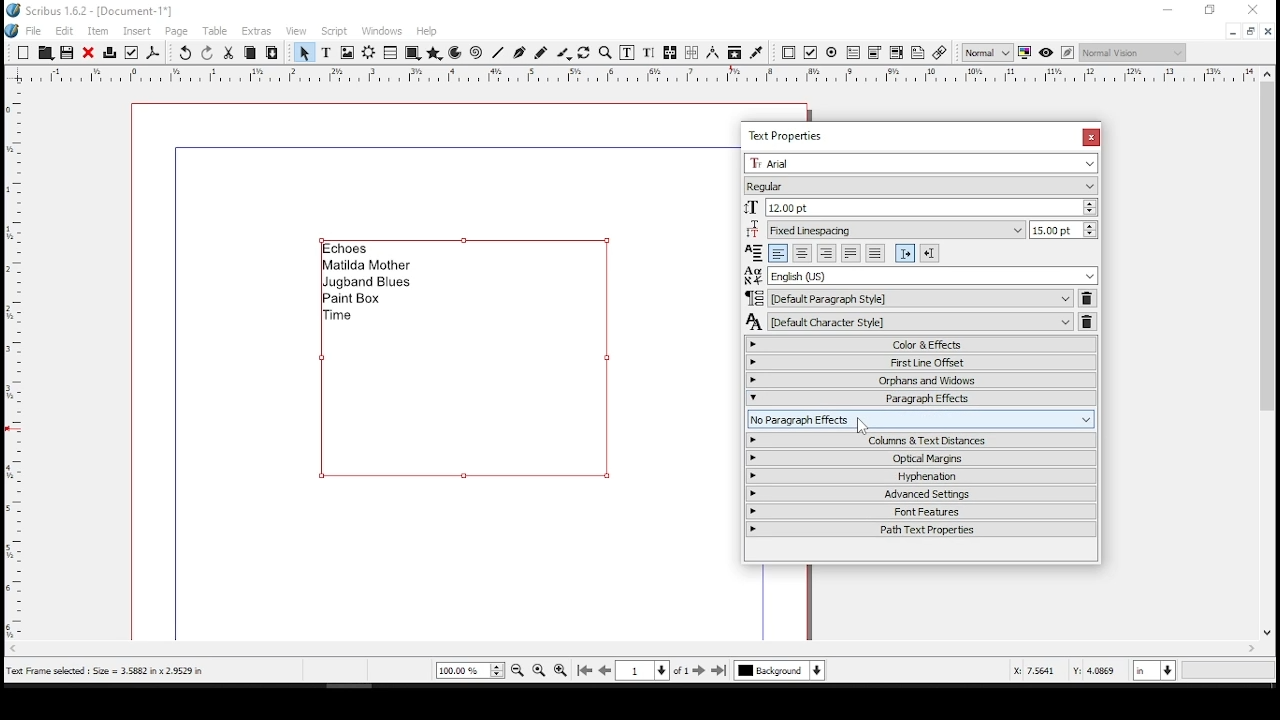 The image size is (1280, 720). Describe the element at coordinates (832, 53) in the screenshot. I see `PDF radio button` at that location.